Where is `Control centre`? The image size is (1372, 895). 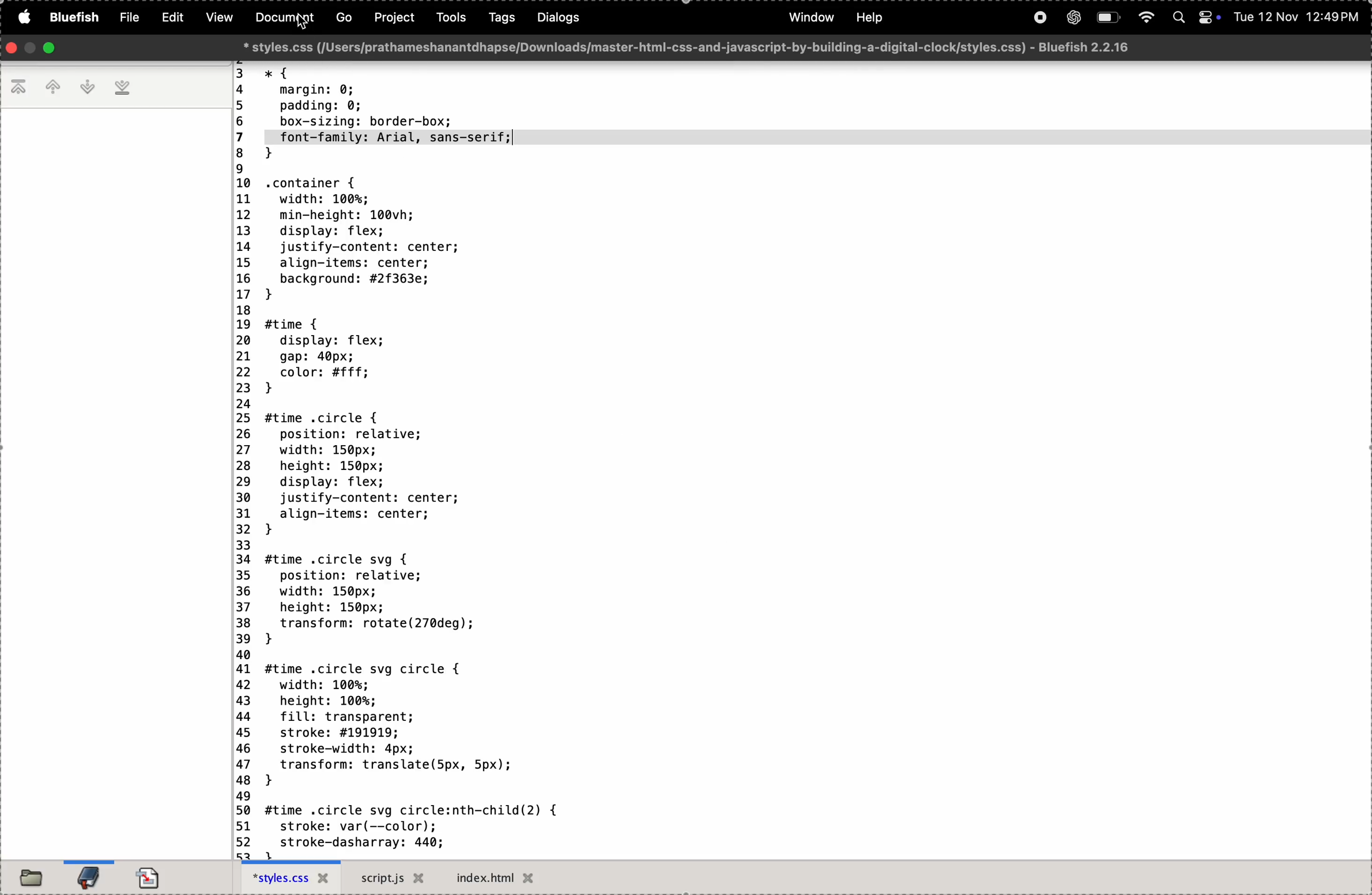
Control centre is located at coordinates (1207, 18).